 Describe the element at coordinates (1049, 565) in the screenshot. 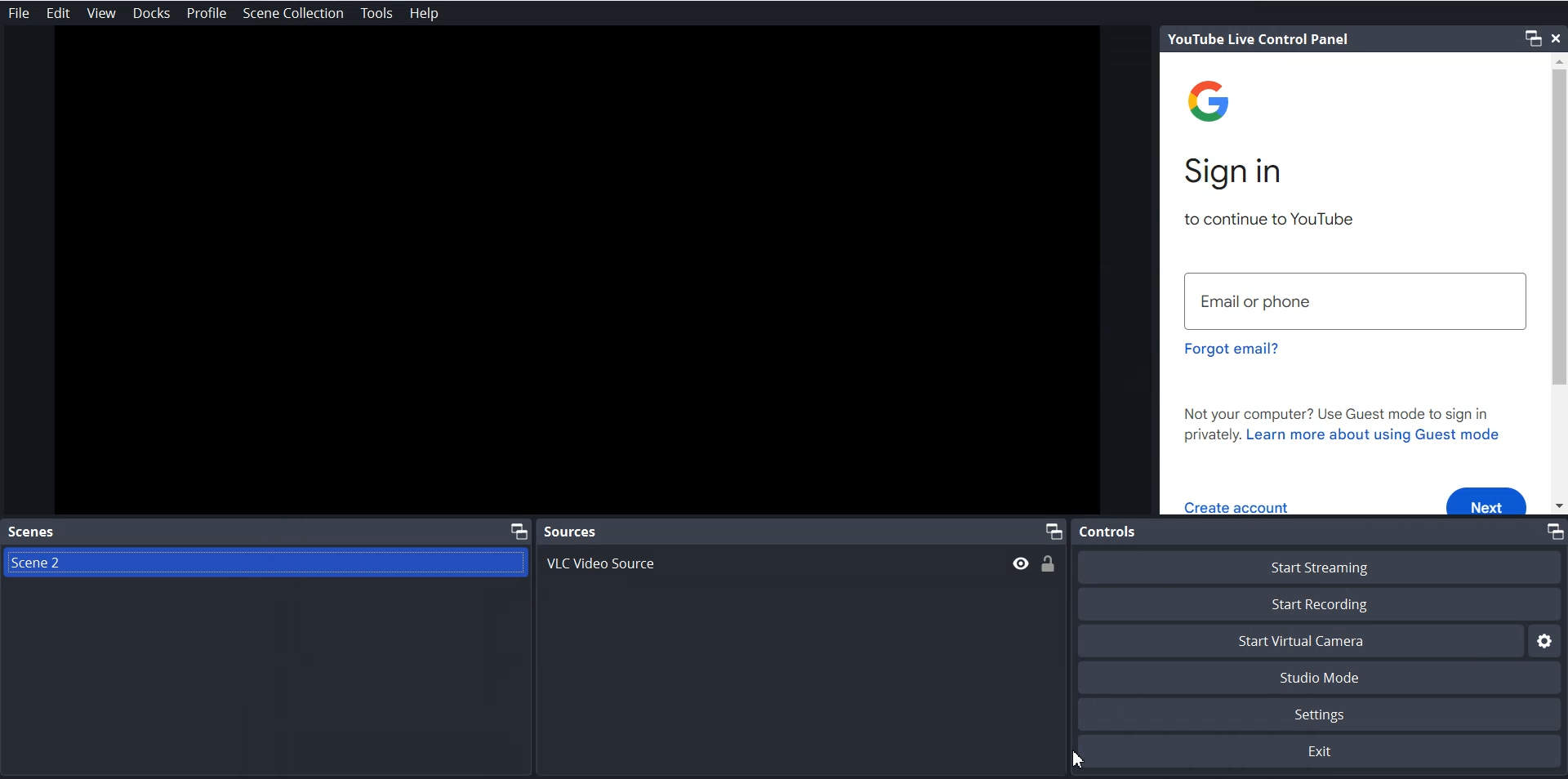

I see `Lock` at that location.